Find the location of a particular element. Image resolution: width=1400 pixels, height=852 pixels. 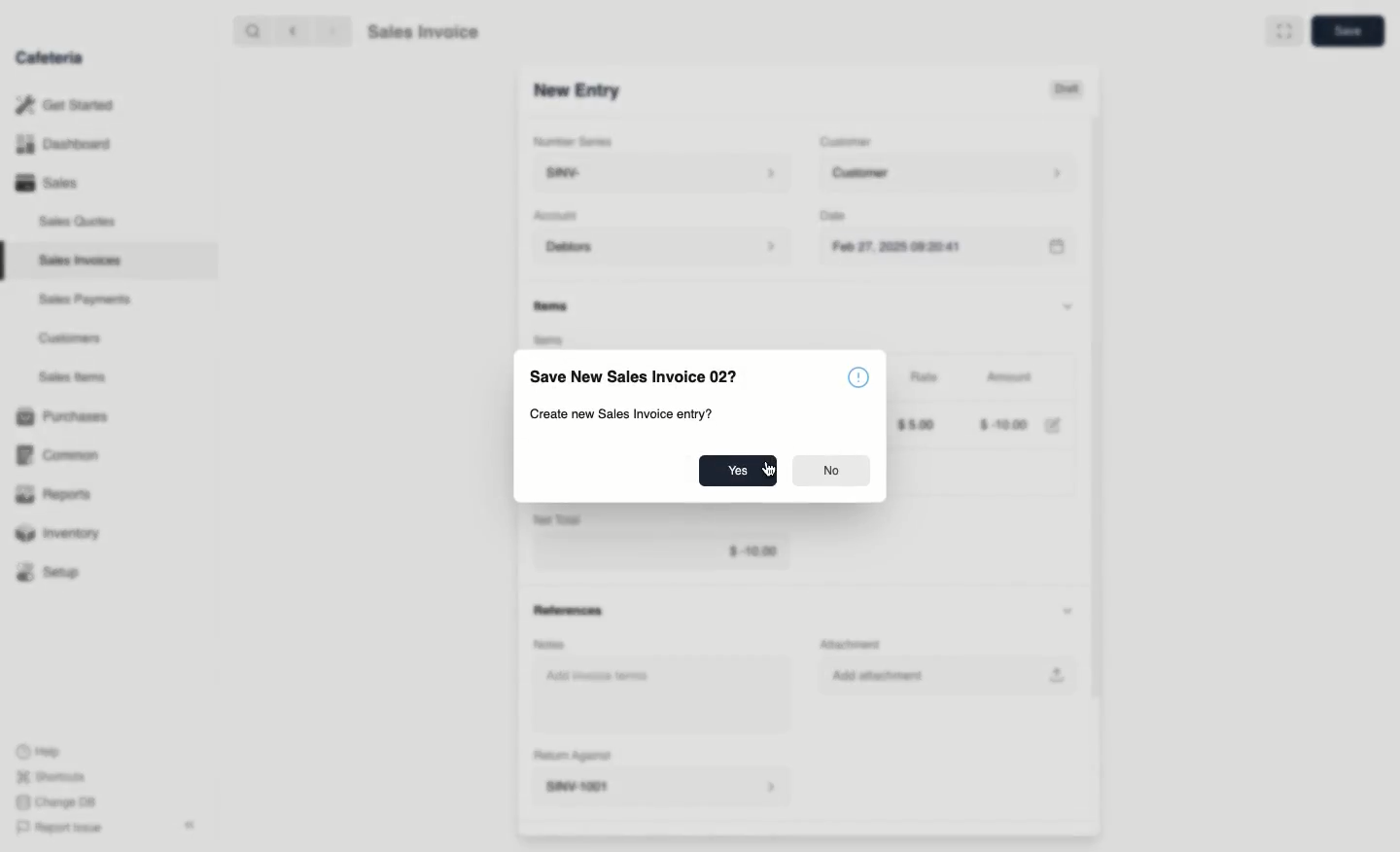

Debtors  is located at coordinates (663, 248).